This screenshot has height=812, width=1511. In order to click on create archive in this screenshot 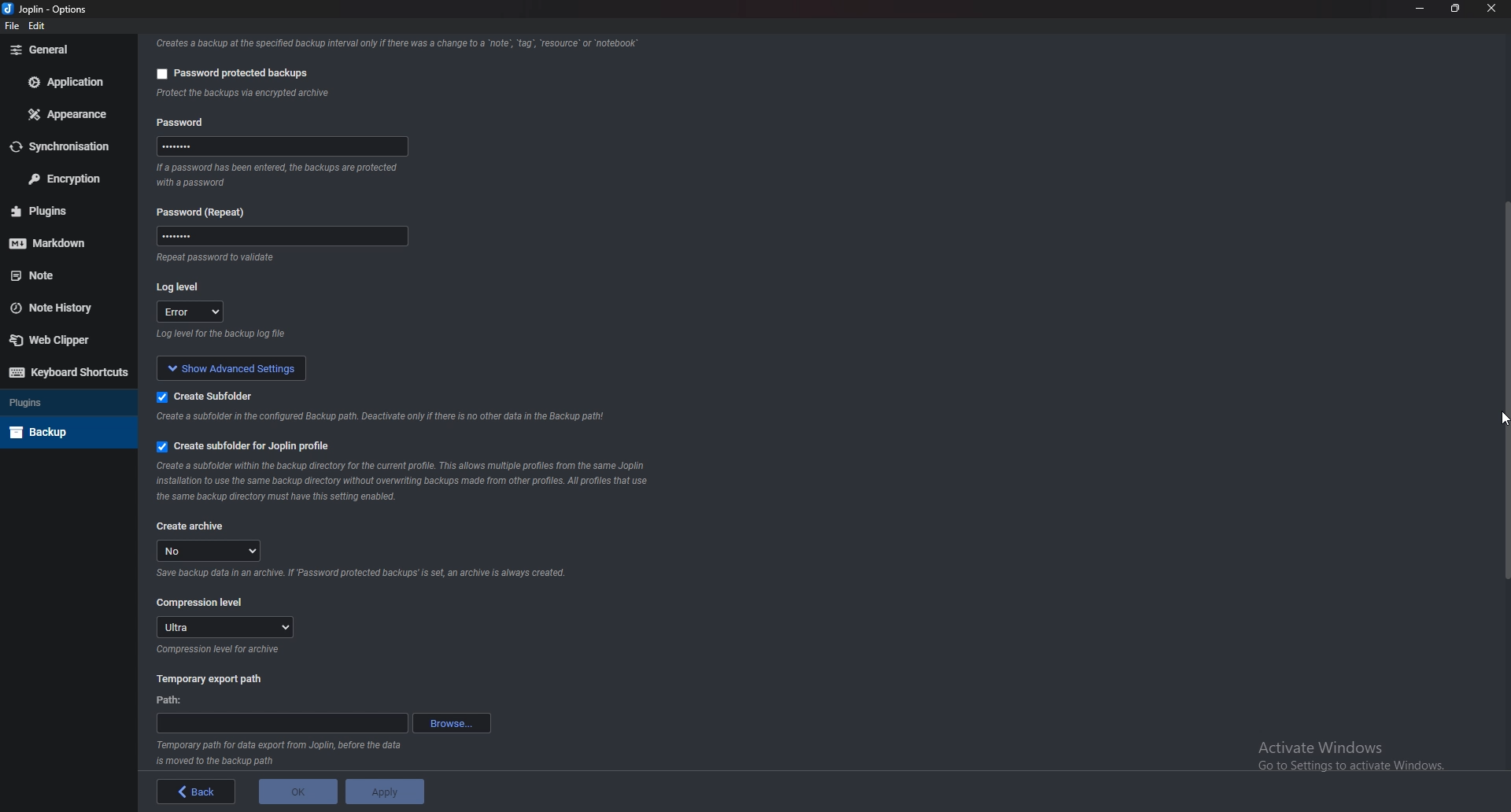, I will do `click(192, 525)`.